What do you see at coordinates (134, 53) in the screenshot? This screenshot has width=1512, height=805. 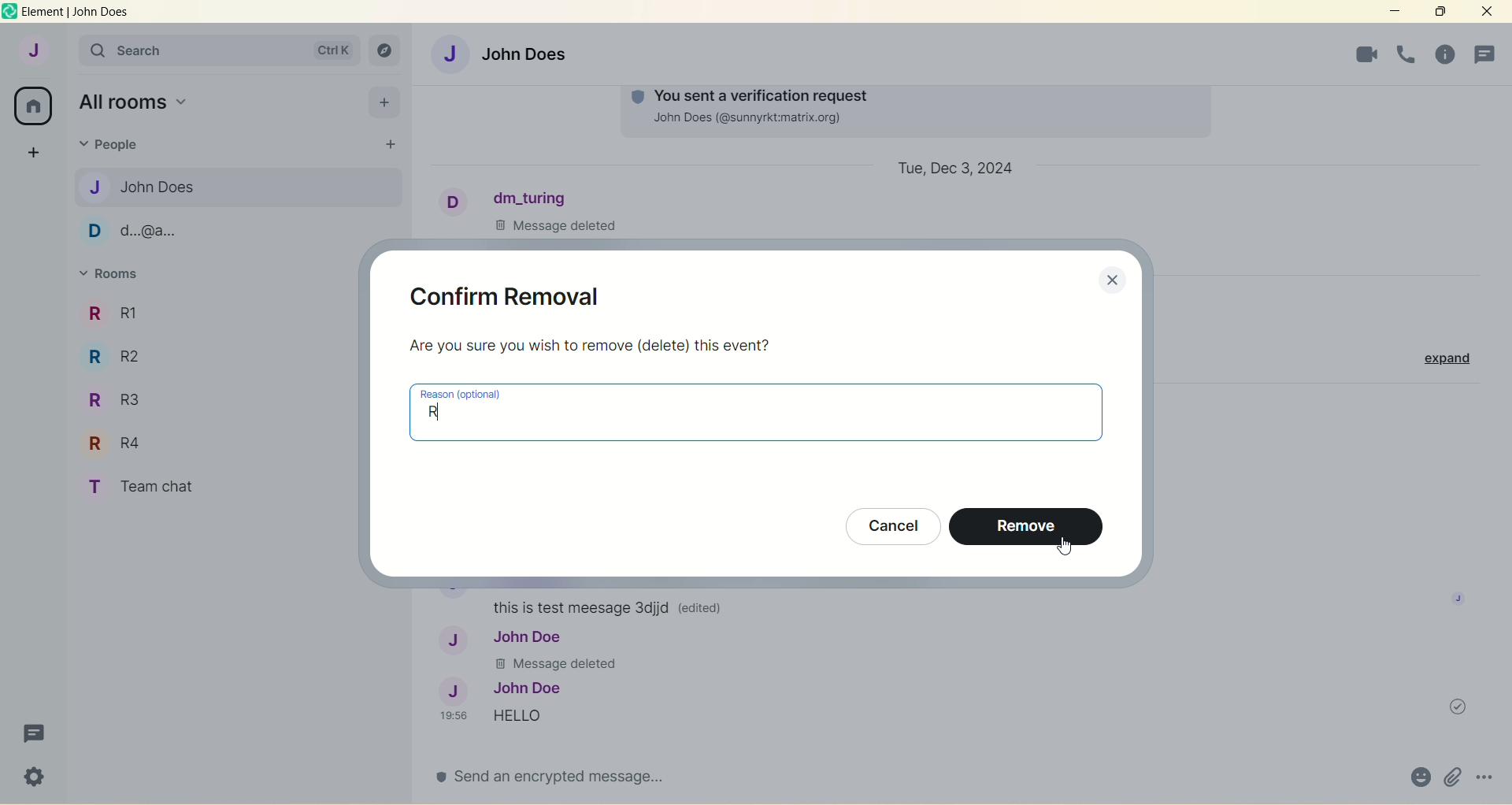 I see `search` at bounding box center [134, 53].